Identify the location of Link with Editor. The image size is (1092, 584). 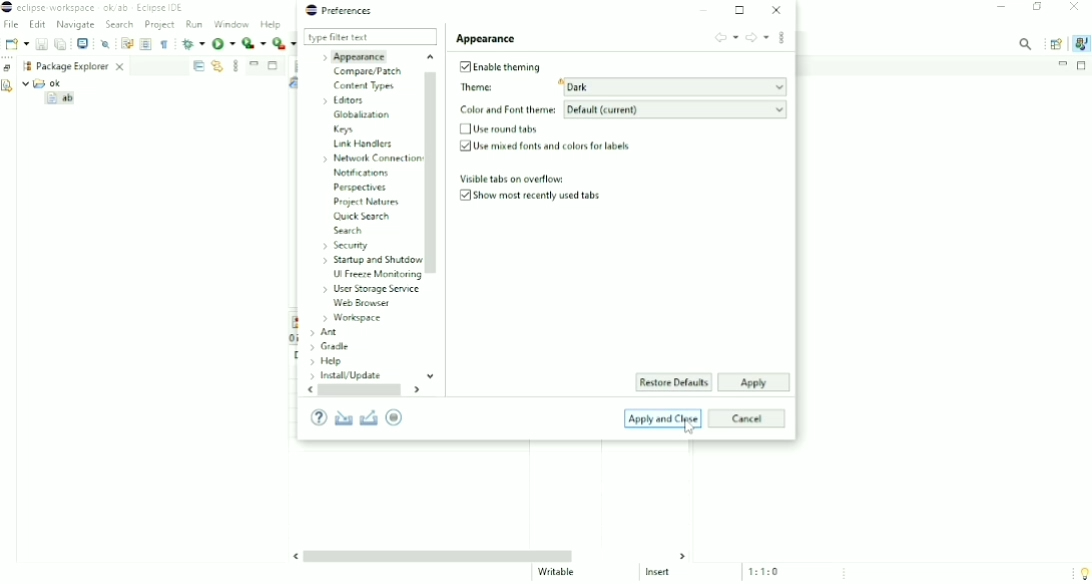
(217, 66).